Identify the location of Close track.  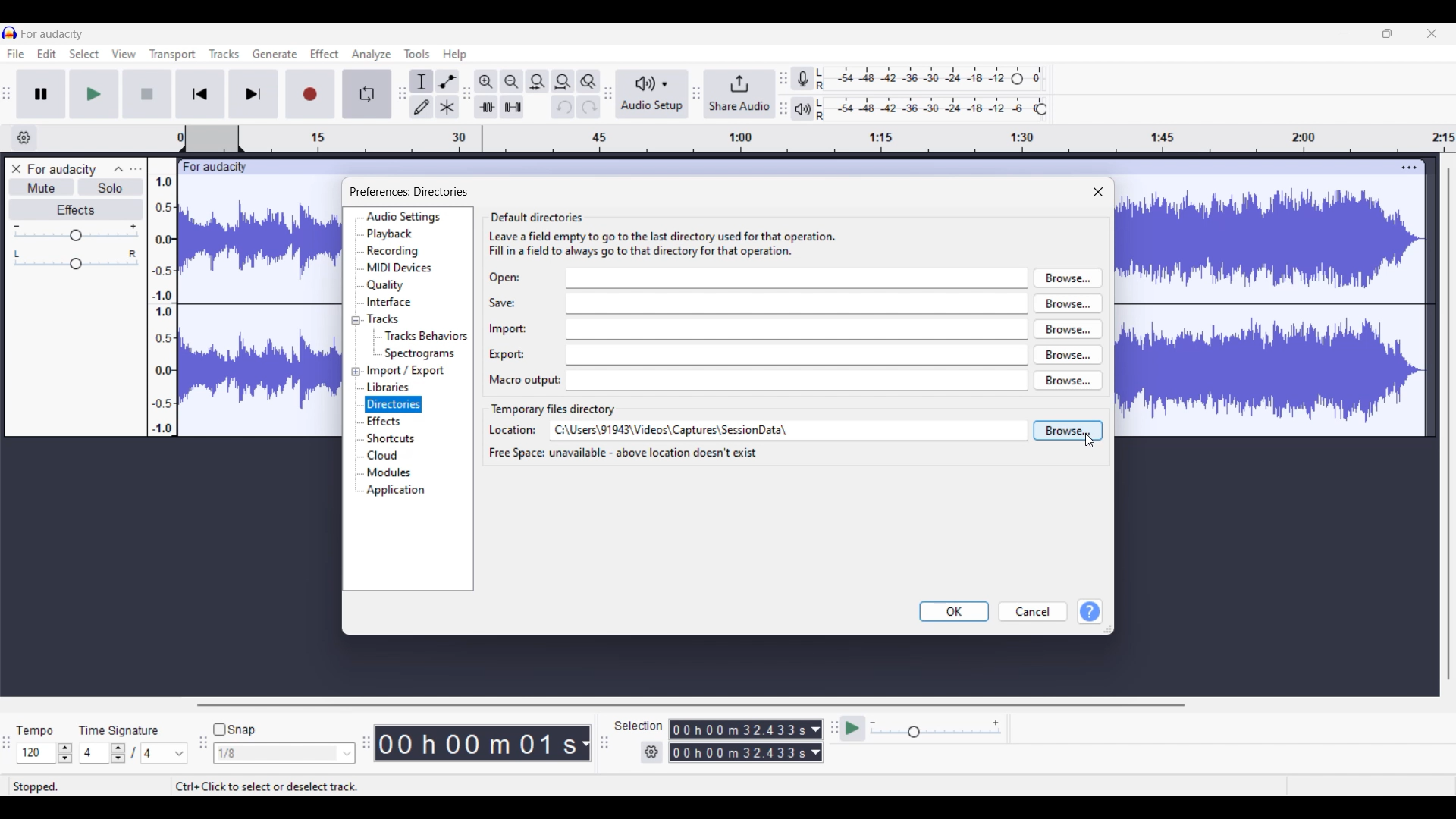
(17, 169).